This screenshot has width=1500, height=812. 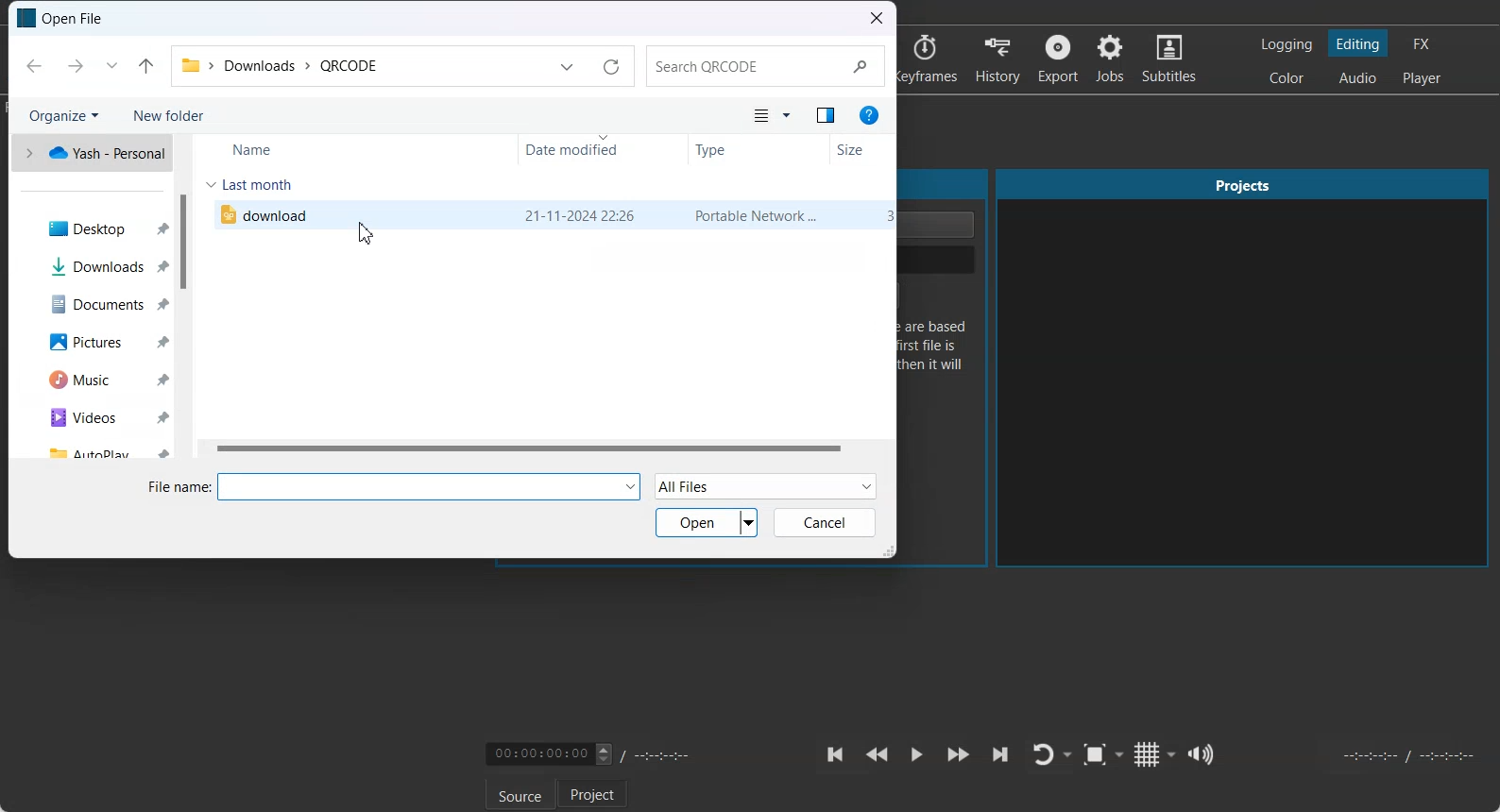 I want to click on Toggle grid display on the player, so click(x=1149, y=754).